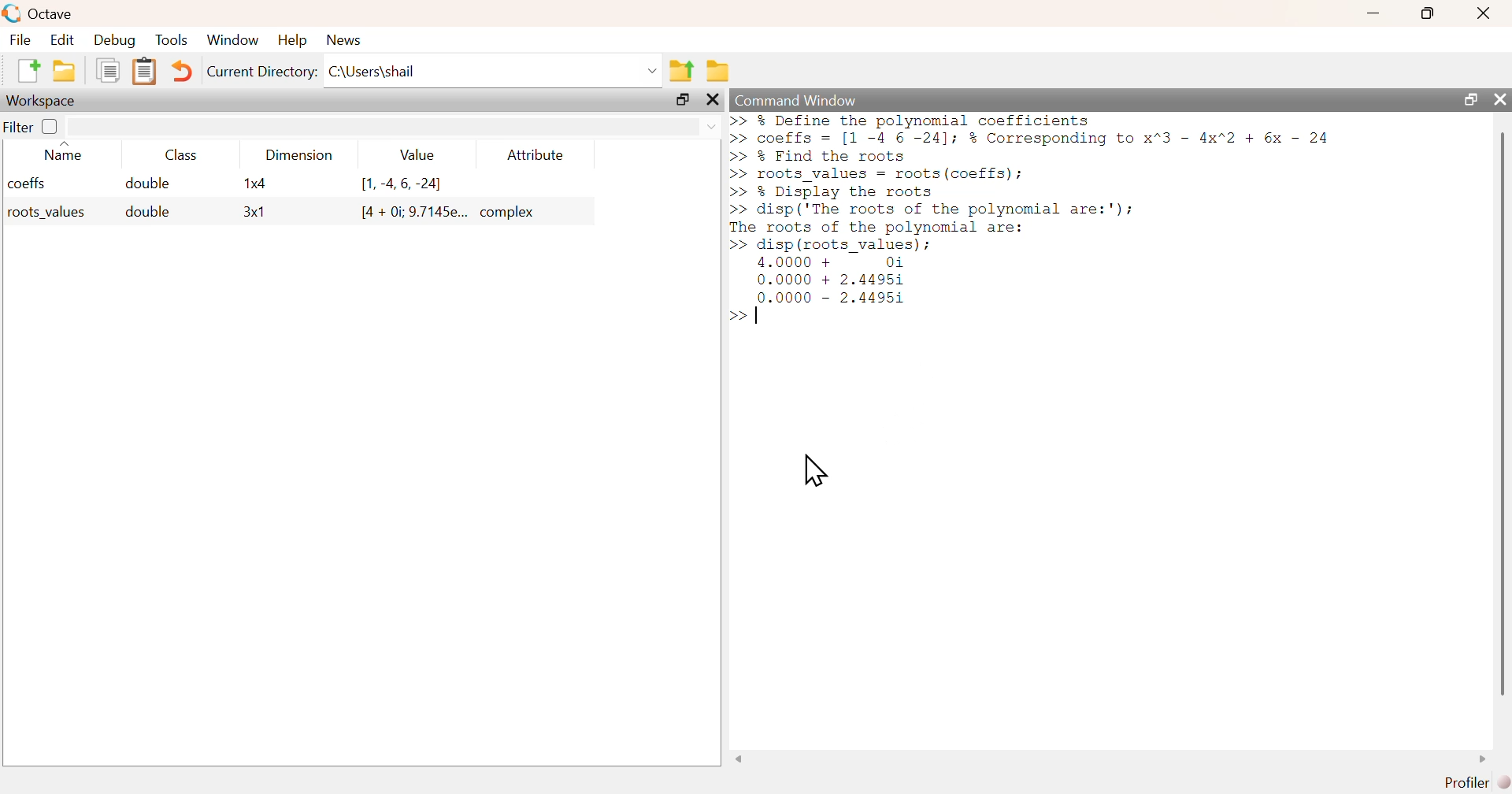 The image size is (1512, 794). Describe the element at coordinates (117, 41) in the screenshot. I see `Debug` at that location.